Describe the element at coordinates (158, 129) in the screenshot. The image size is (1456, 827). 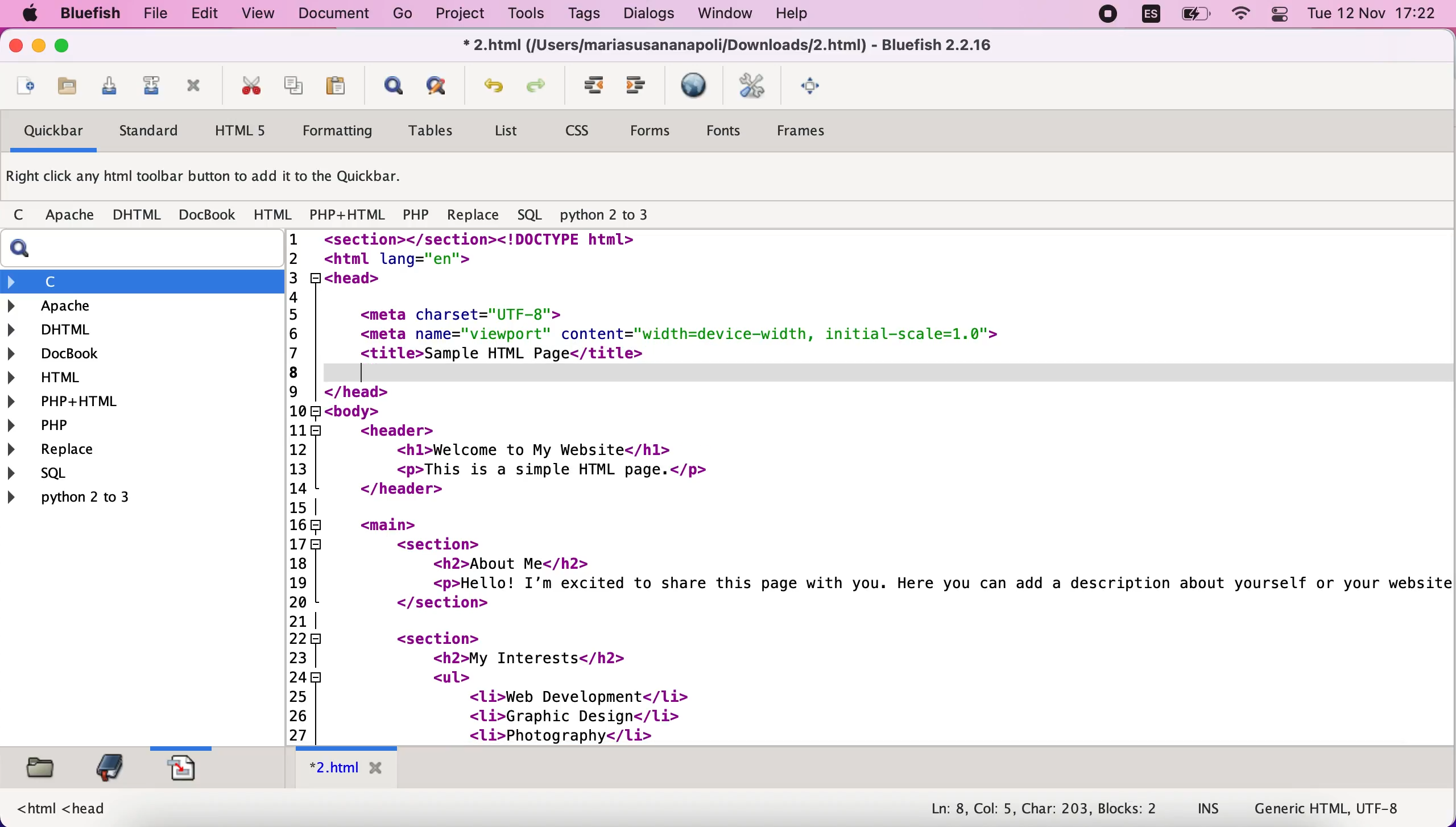
I see `standard` at that location.